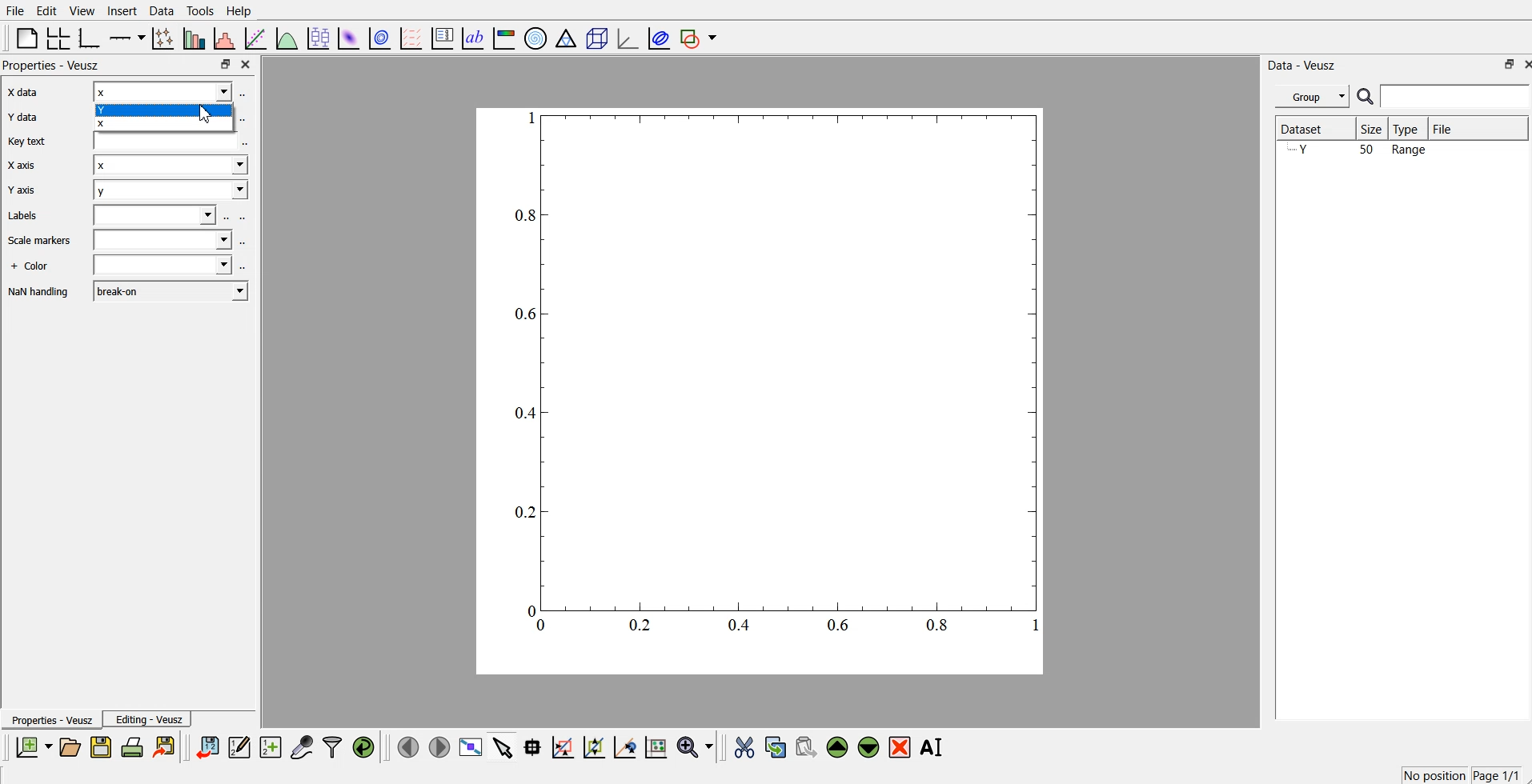 The image size is (1532, 784). I want to click on capture remote data, so click(301, 748).